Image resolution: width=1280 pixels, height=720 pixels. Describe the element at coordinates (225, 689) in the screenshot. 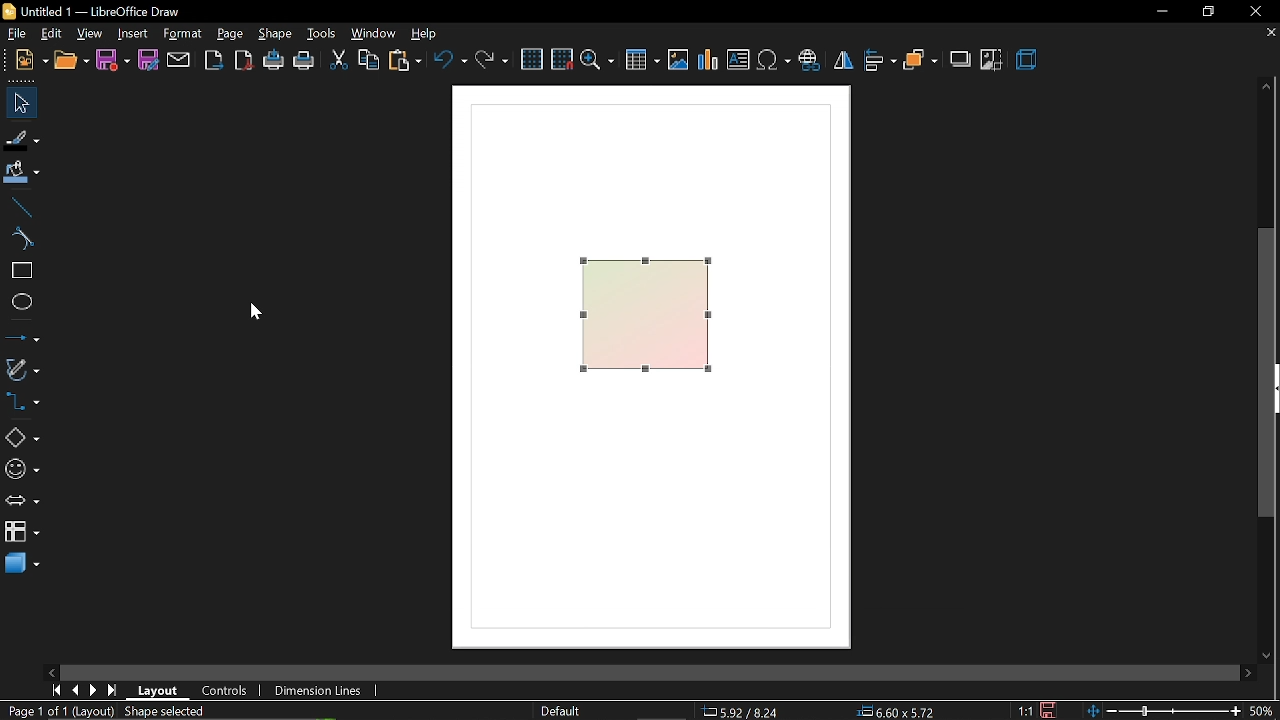

I see `controls` at that location.